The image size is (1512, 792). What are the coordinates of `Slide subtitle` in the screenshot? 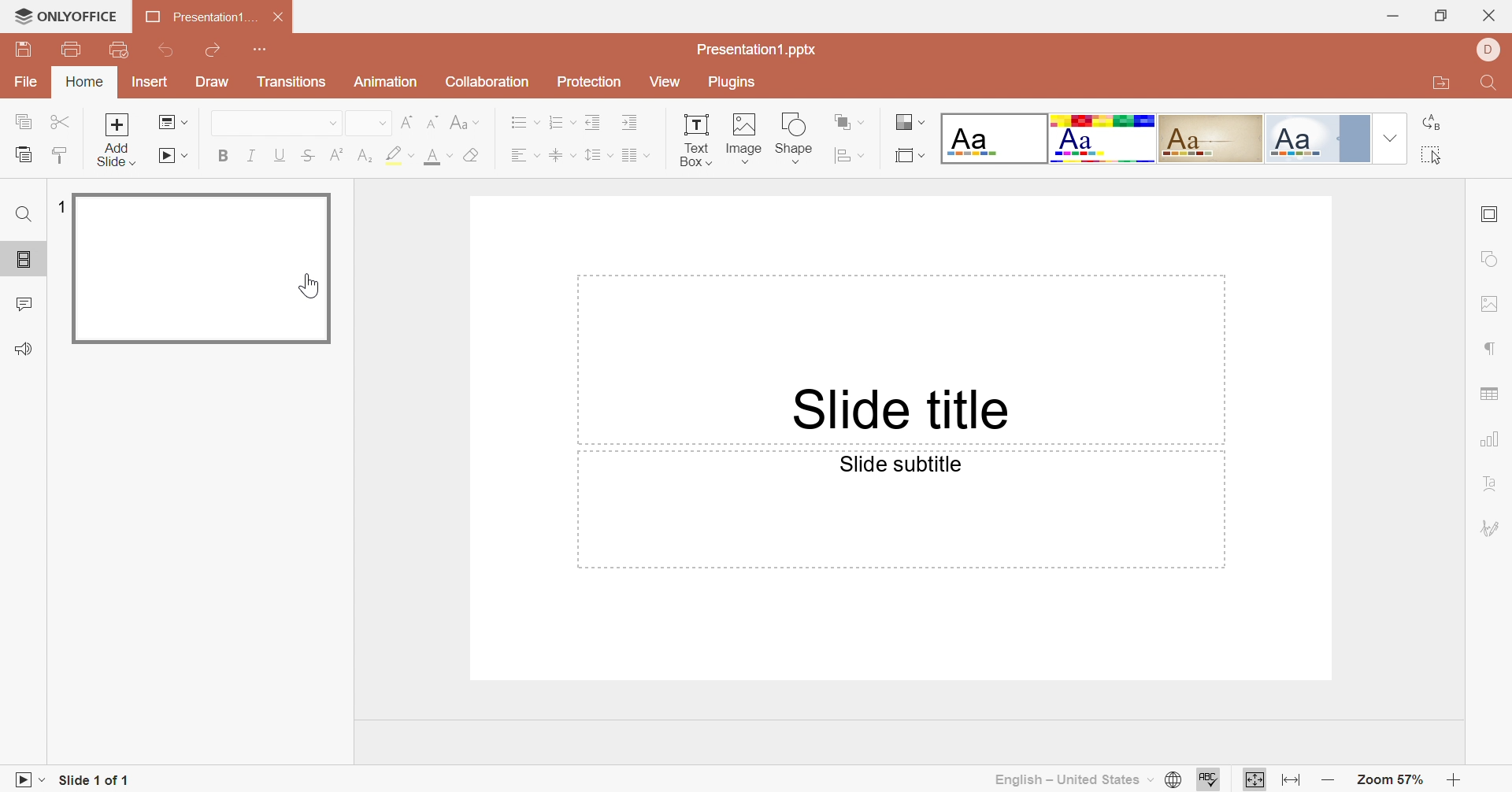 It's located at (900, 465).